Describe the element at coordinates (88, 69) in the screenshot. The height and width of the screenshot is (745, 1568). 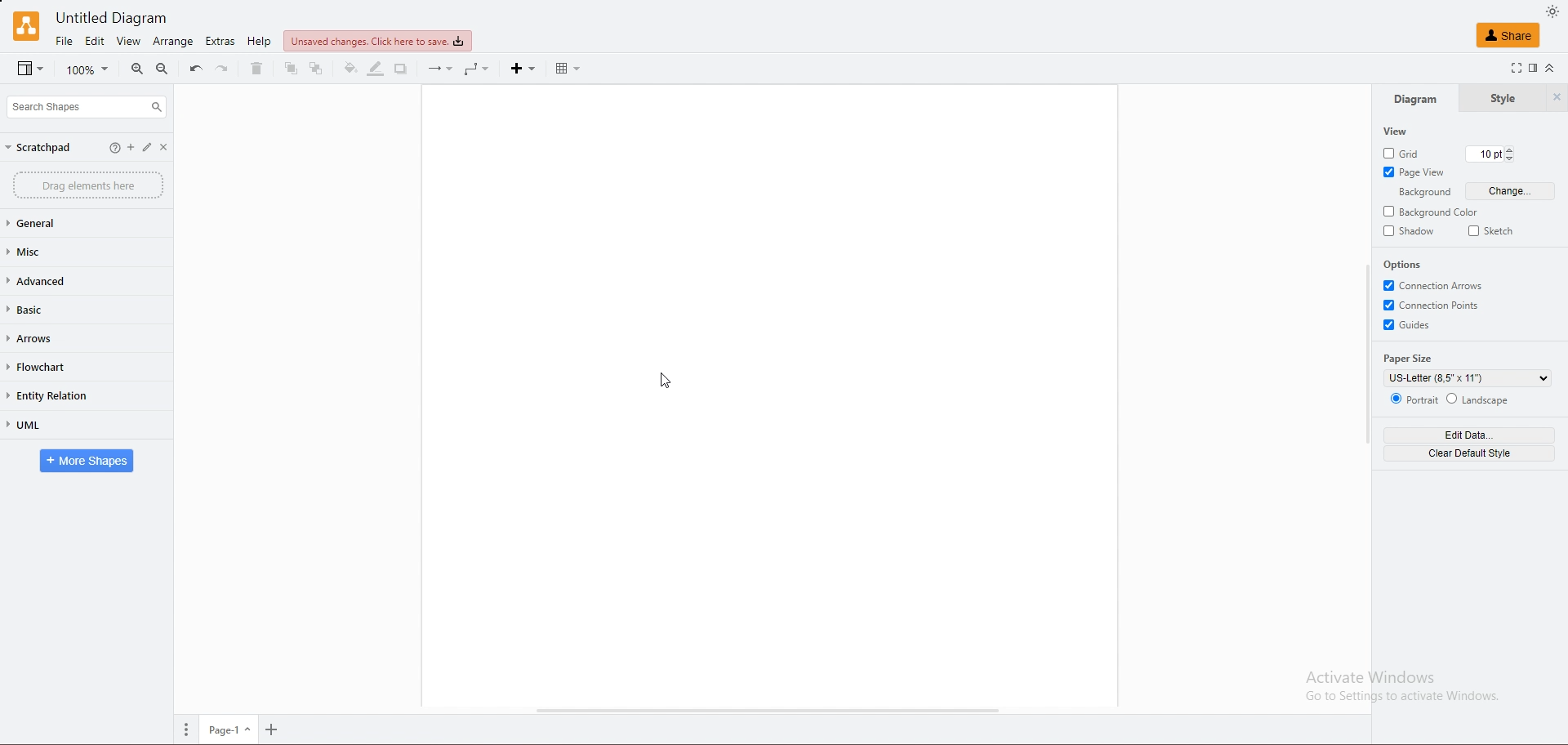
I see `zoom percentage` at that location.